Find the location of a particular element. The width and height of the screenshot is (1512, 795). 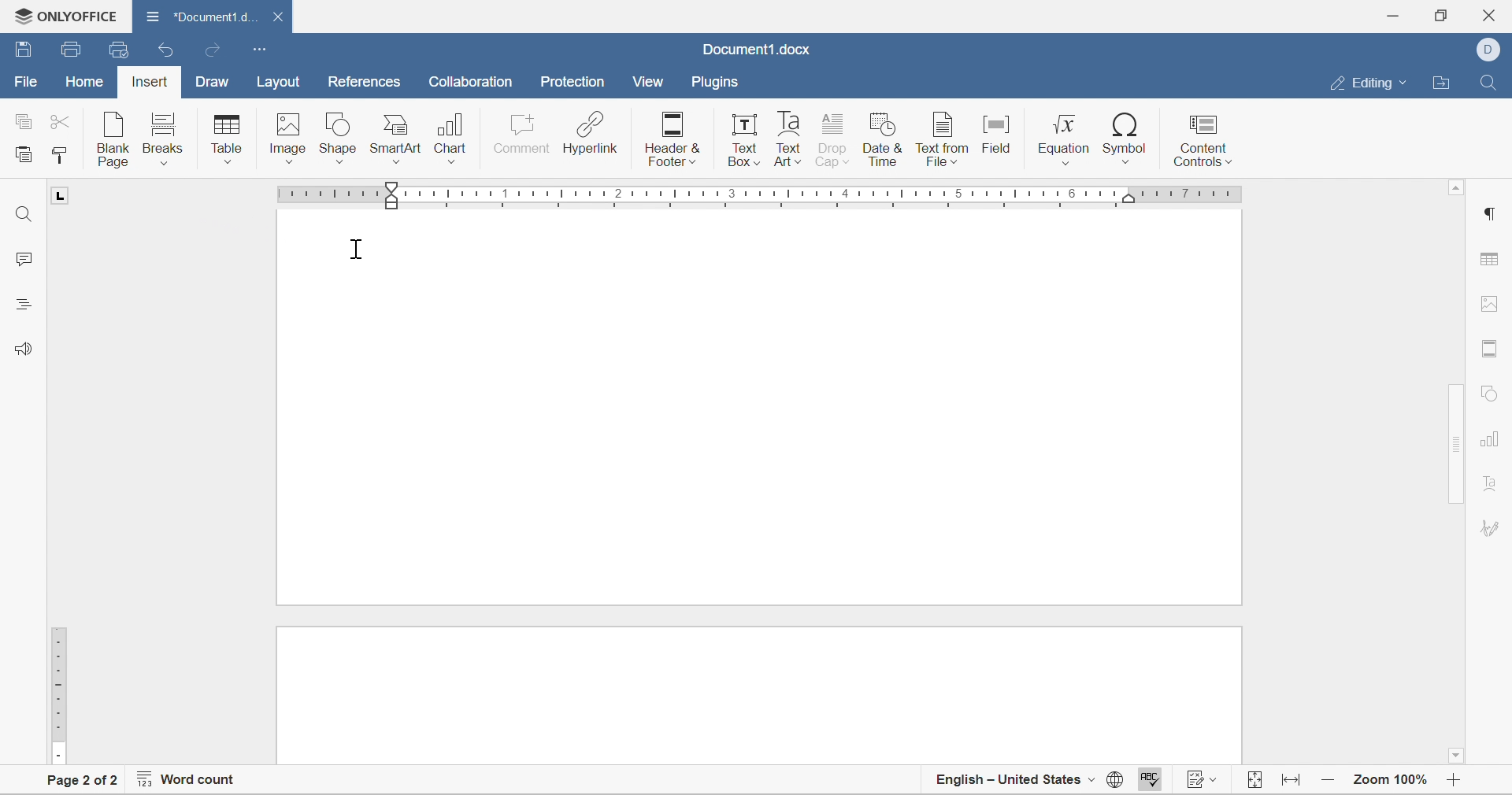

Copy style is located at coordinates (60, 156).